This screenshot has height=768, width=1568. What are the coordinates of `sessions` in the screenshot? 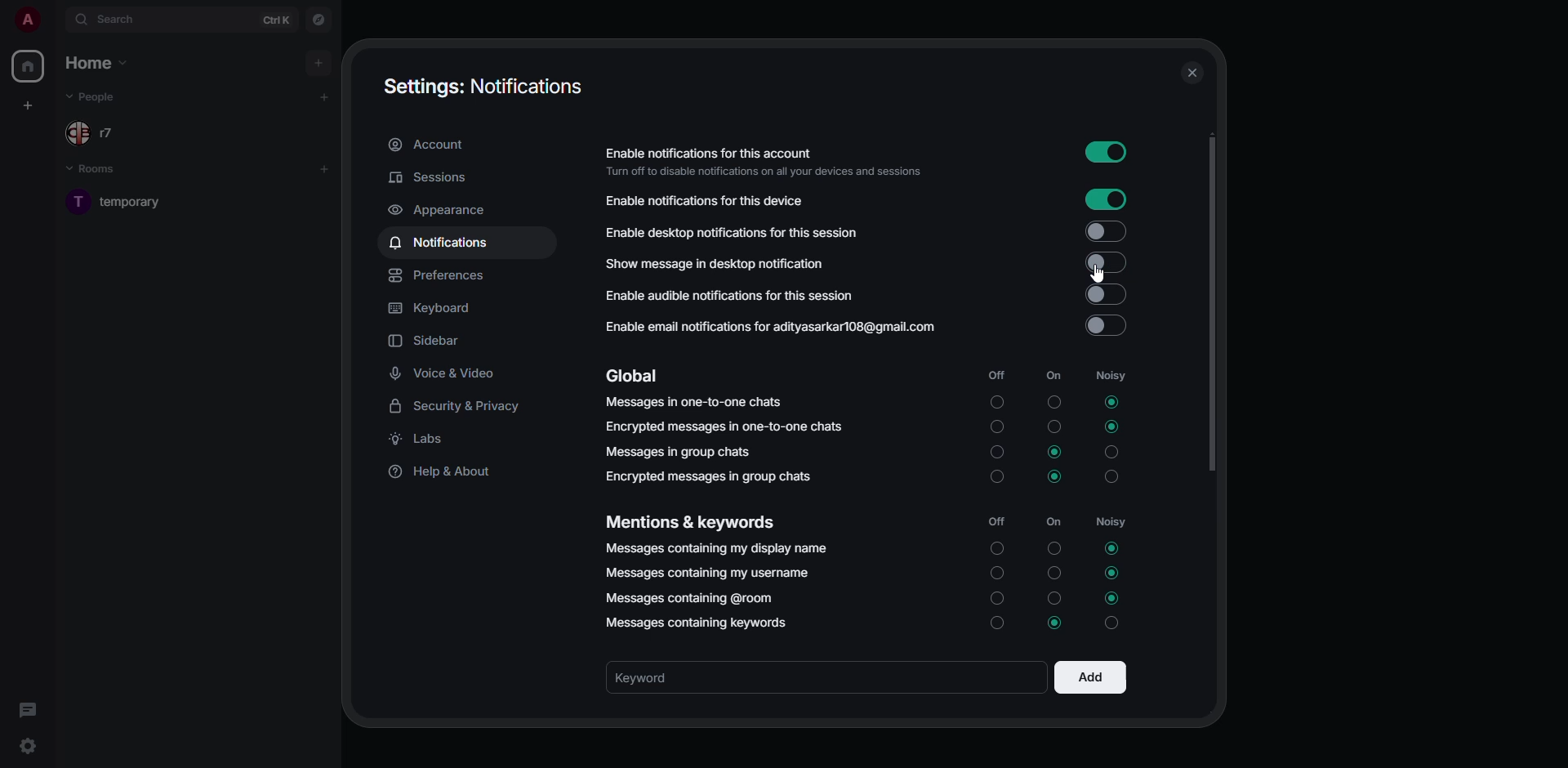 It's located at (434, 177).